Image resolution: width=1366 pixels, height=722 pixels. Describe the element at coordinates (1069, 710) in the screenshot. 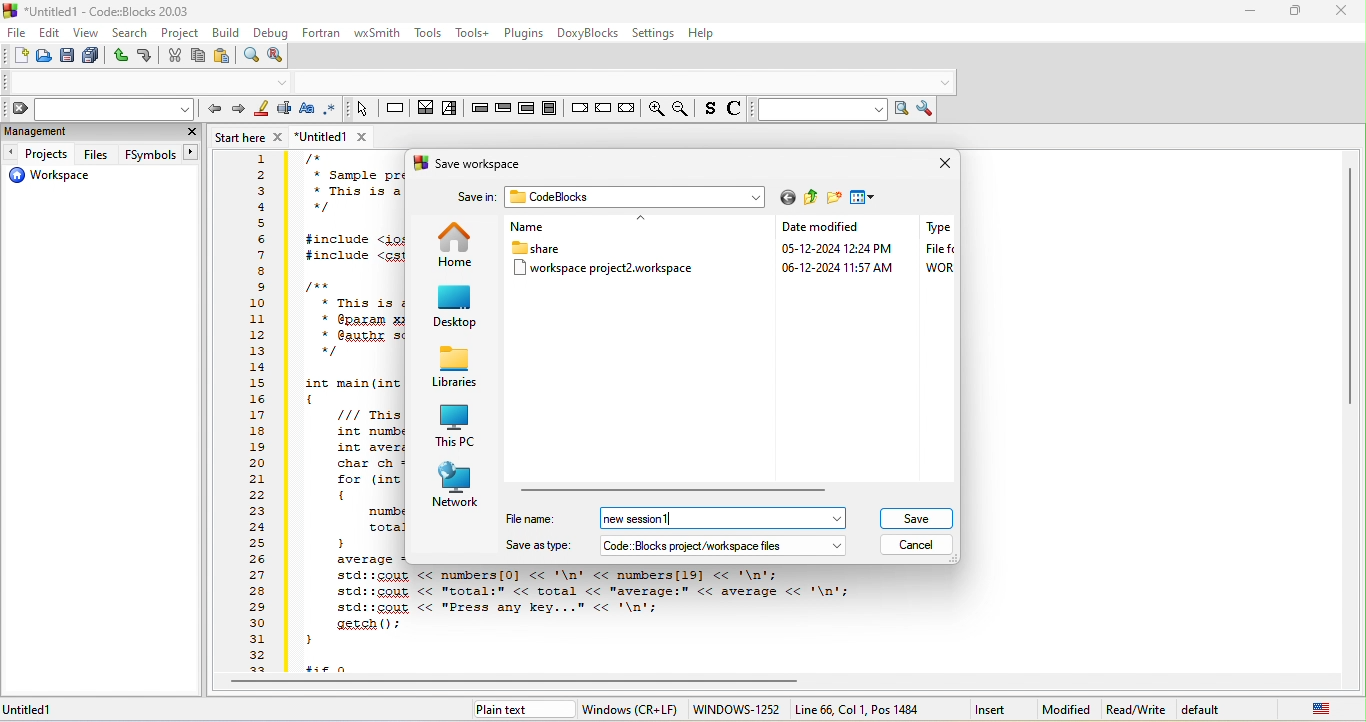

I see `modified` at that location.